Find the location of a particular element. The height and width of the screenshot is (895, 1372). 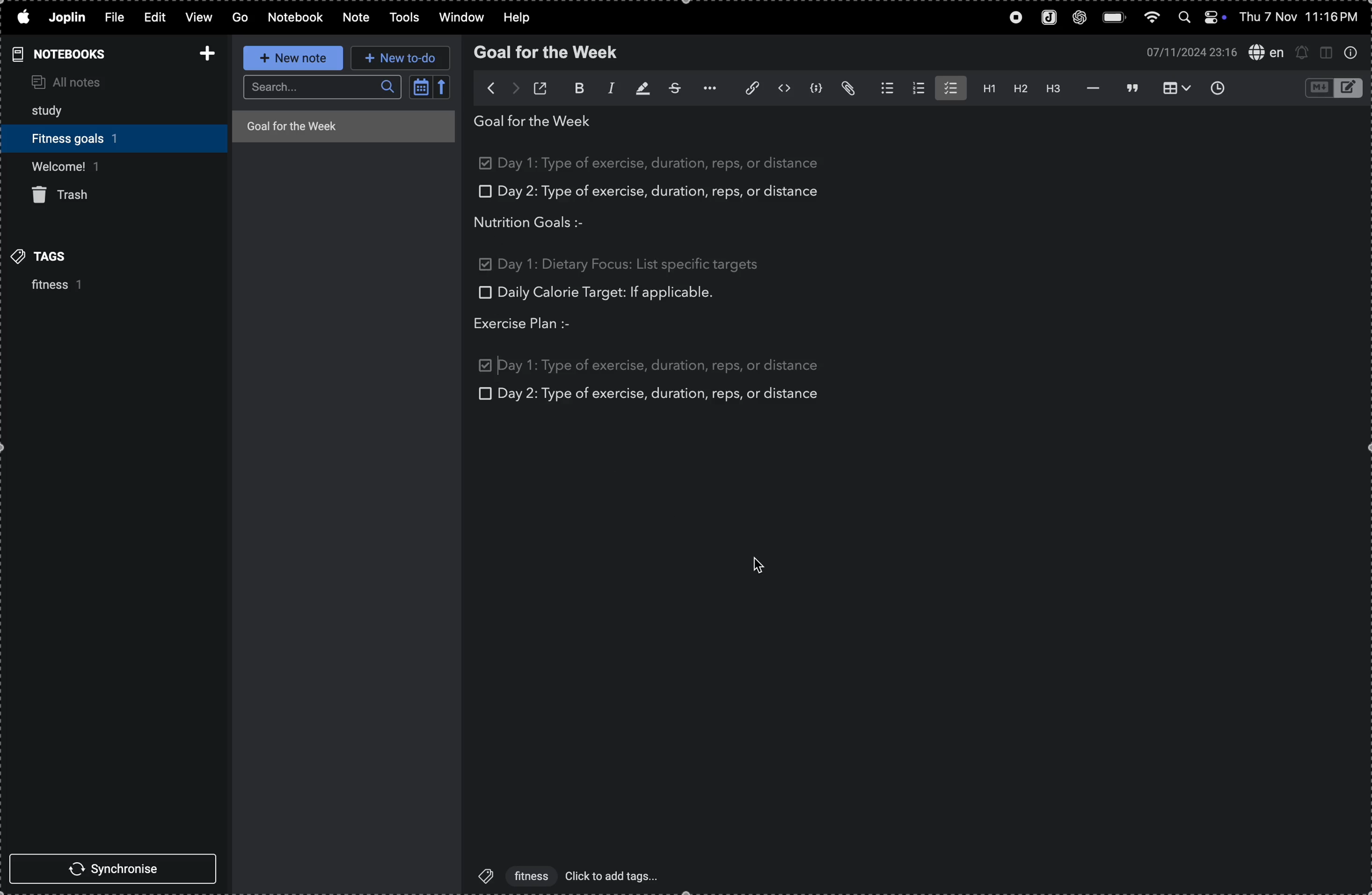

wifi is located at coordinates (1152, 17).